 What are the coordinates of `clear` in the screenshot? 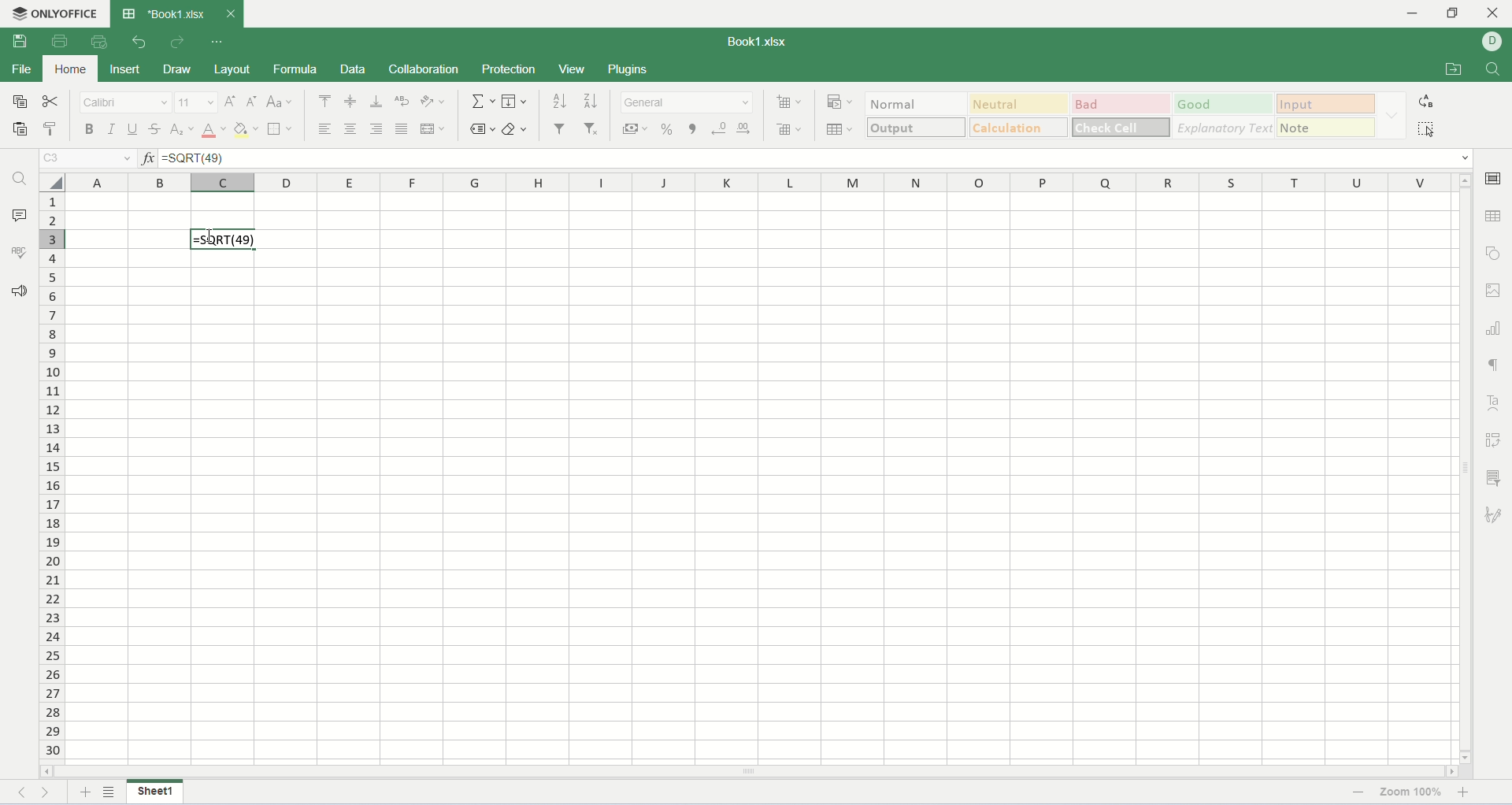 It's located at (514, 131).